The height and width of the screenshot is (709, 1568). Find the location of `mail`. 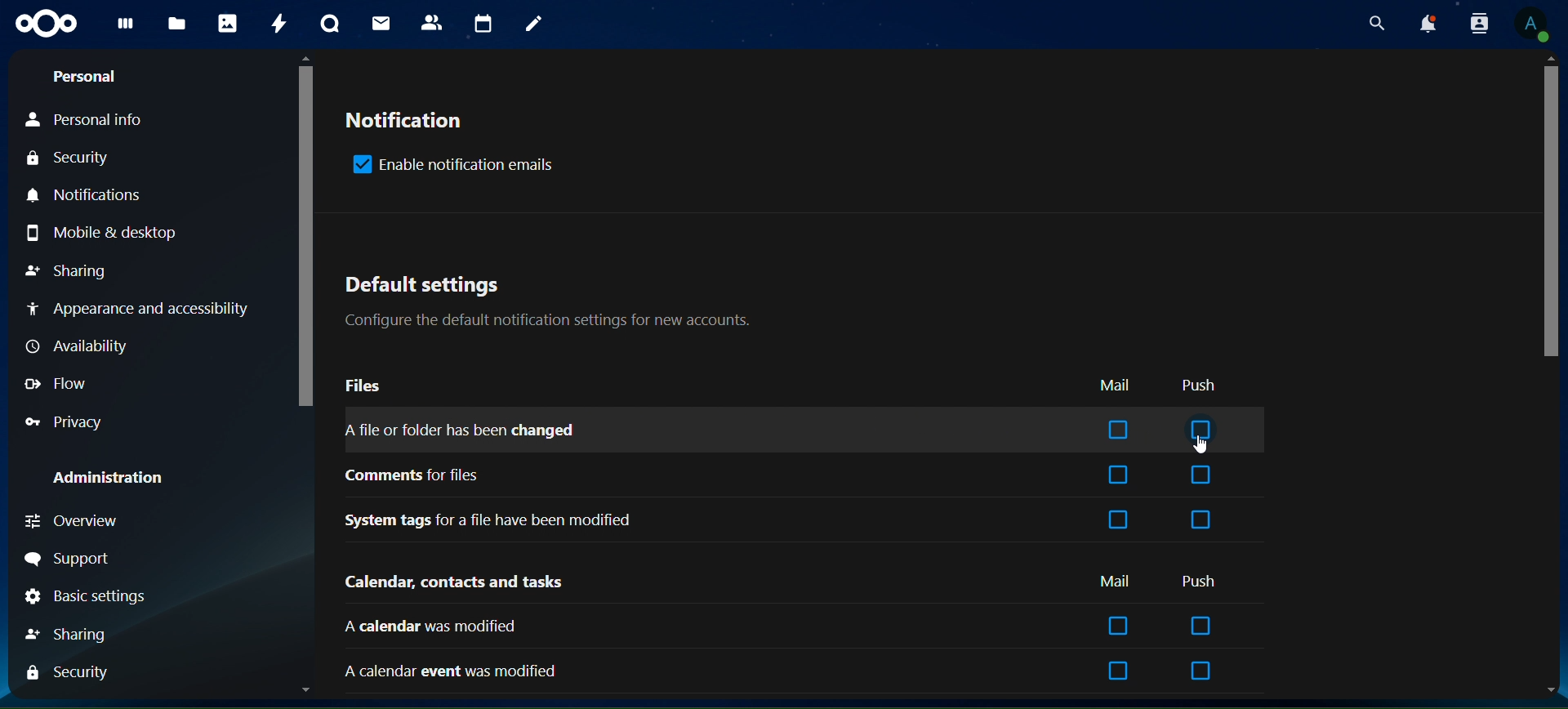

mail is located at coordinates (1114, 386).